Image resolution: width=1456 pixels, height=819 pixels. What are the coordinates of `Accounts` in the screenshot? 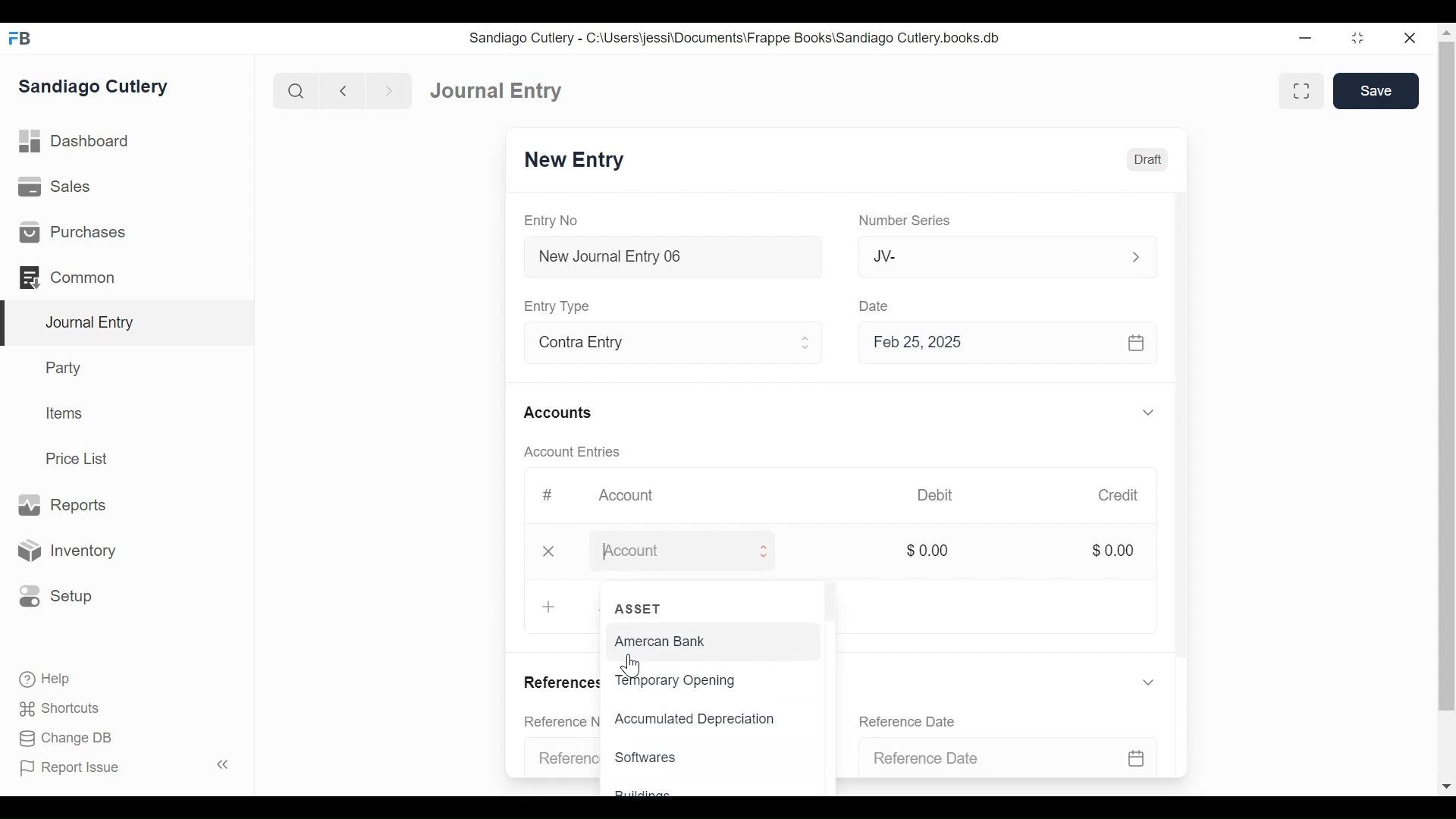 It's located at (561, 413).